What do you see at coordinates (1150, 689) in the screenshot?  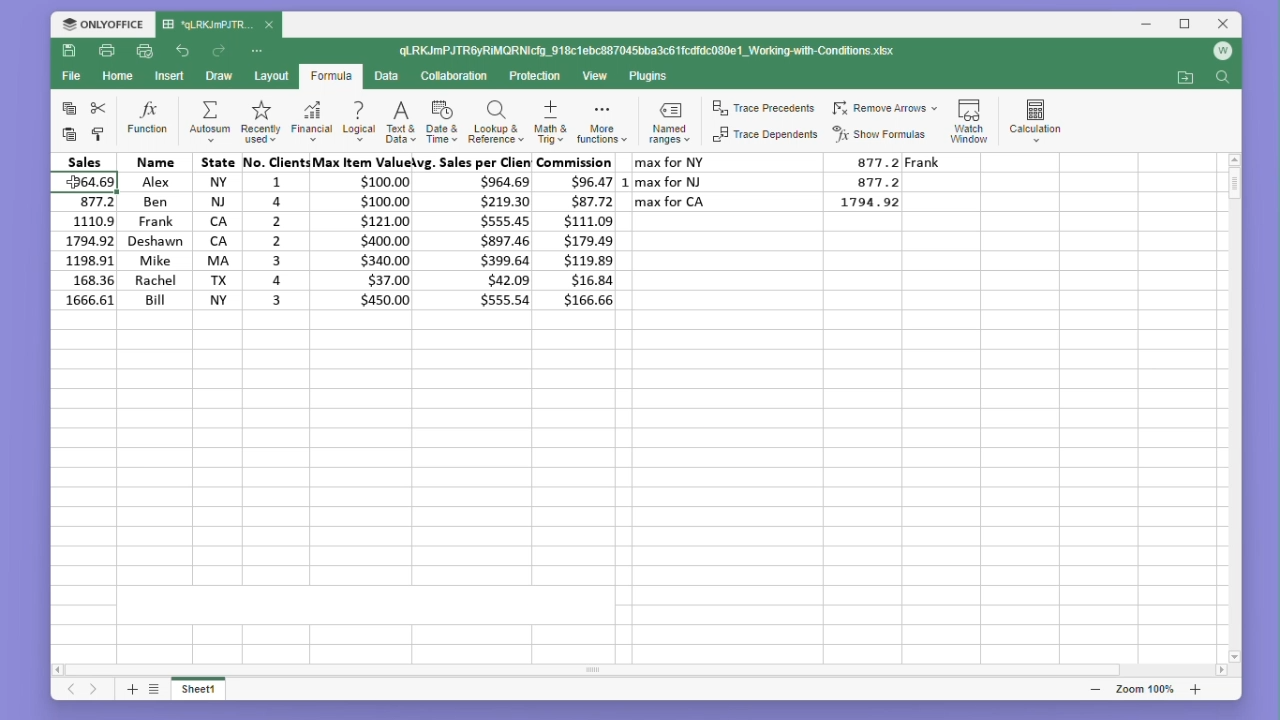 I see `Zoom 100%` at bounding box center [1150, 689].